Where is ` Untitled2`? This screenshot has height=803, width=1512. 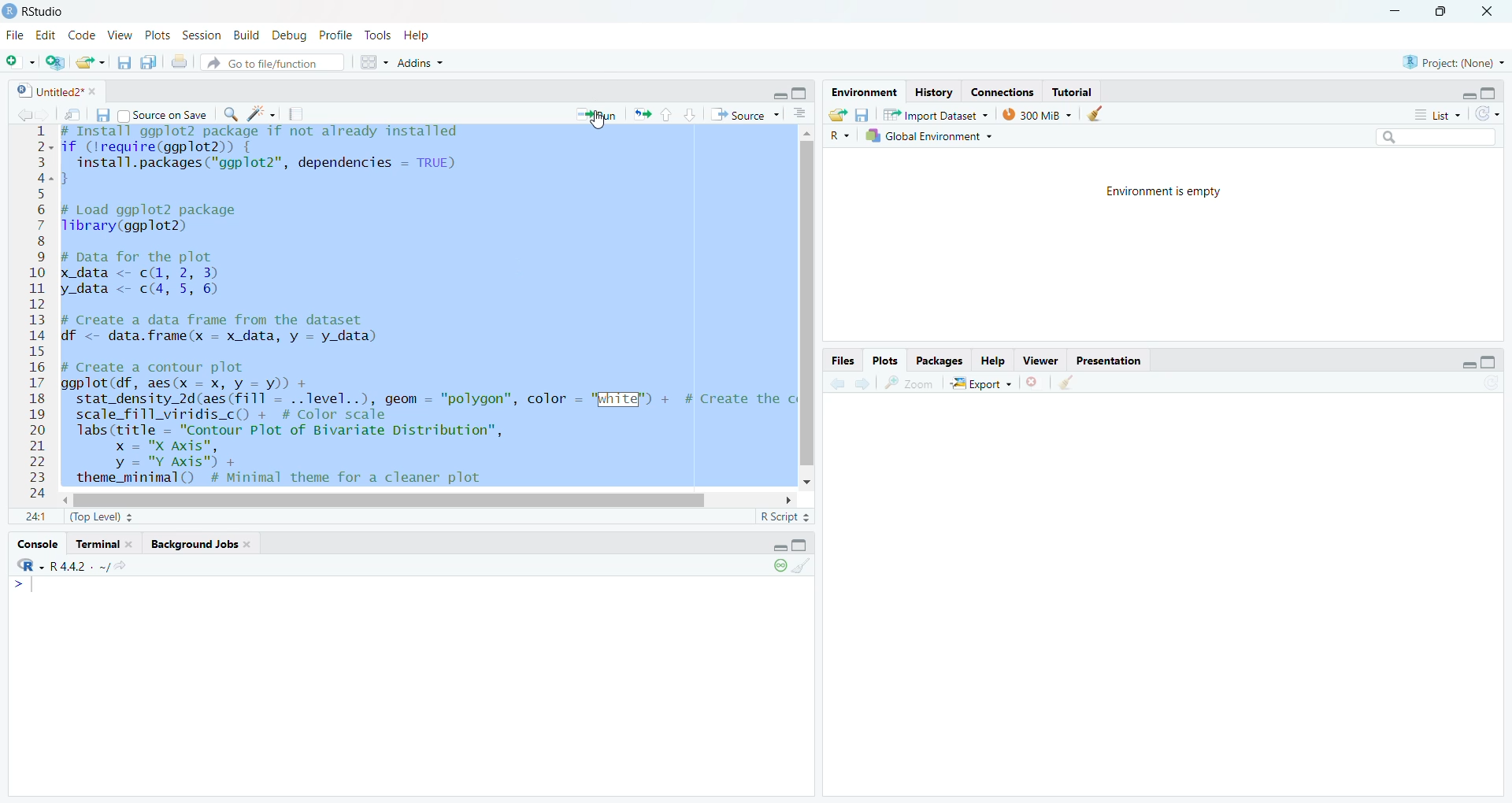  Untitled2 is located at coordinates (60, 93).